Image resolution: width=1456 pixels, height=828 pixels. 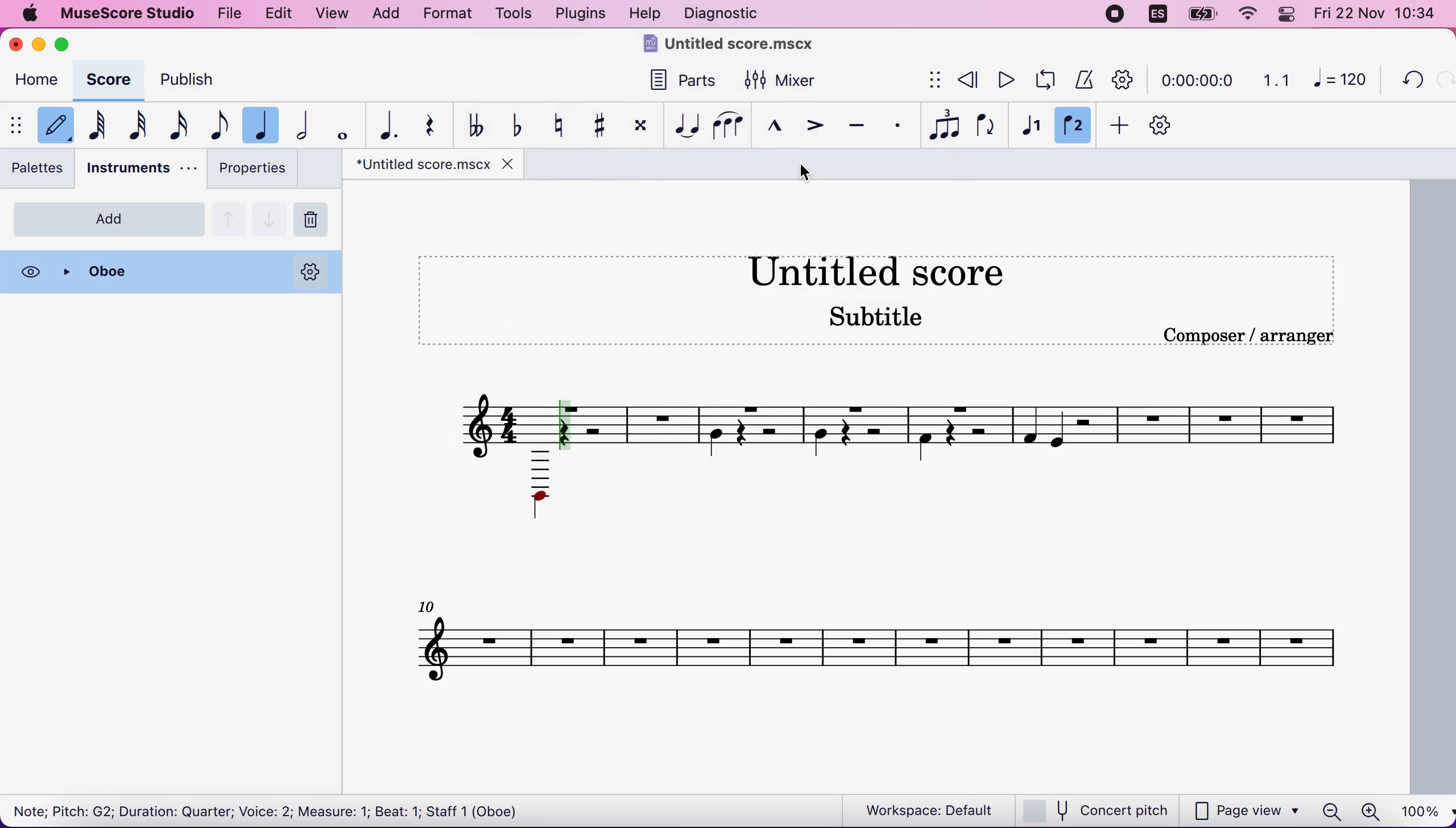 I want to click on tenuto, so click(x=857, y=123).